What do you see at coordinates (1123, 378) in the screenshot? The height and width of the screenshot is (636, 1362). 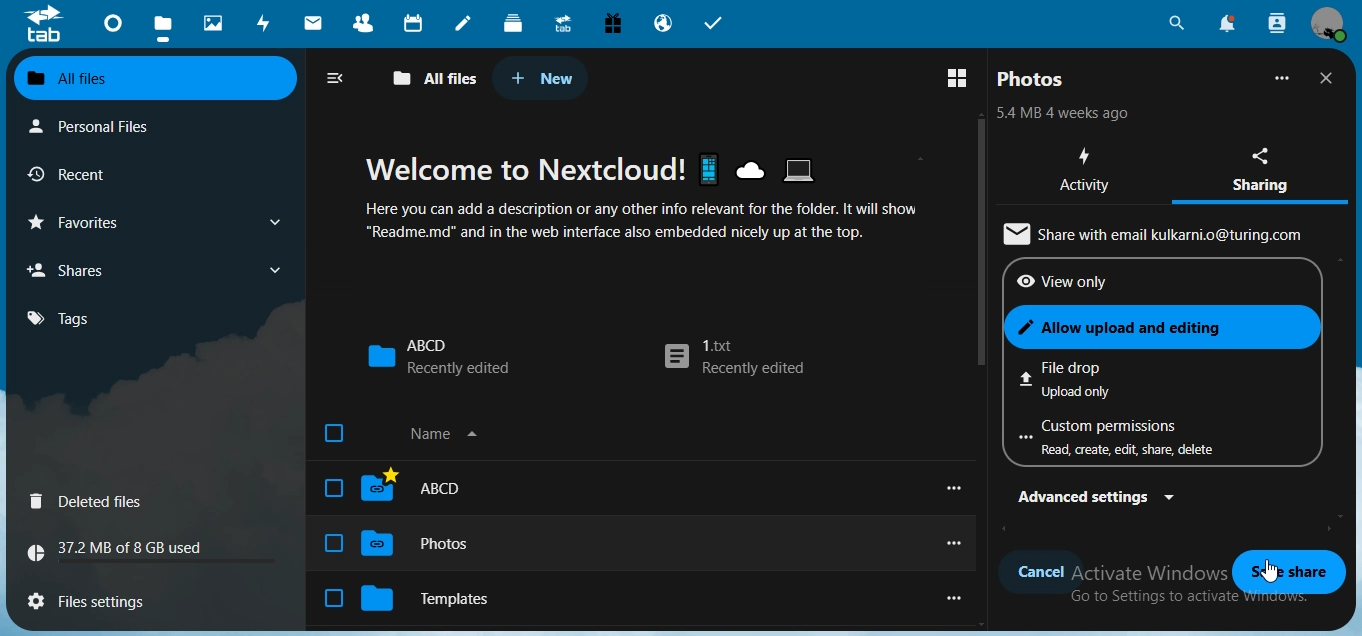 I see `file drop` at bounding box center [1123, 378].